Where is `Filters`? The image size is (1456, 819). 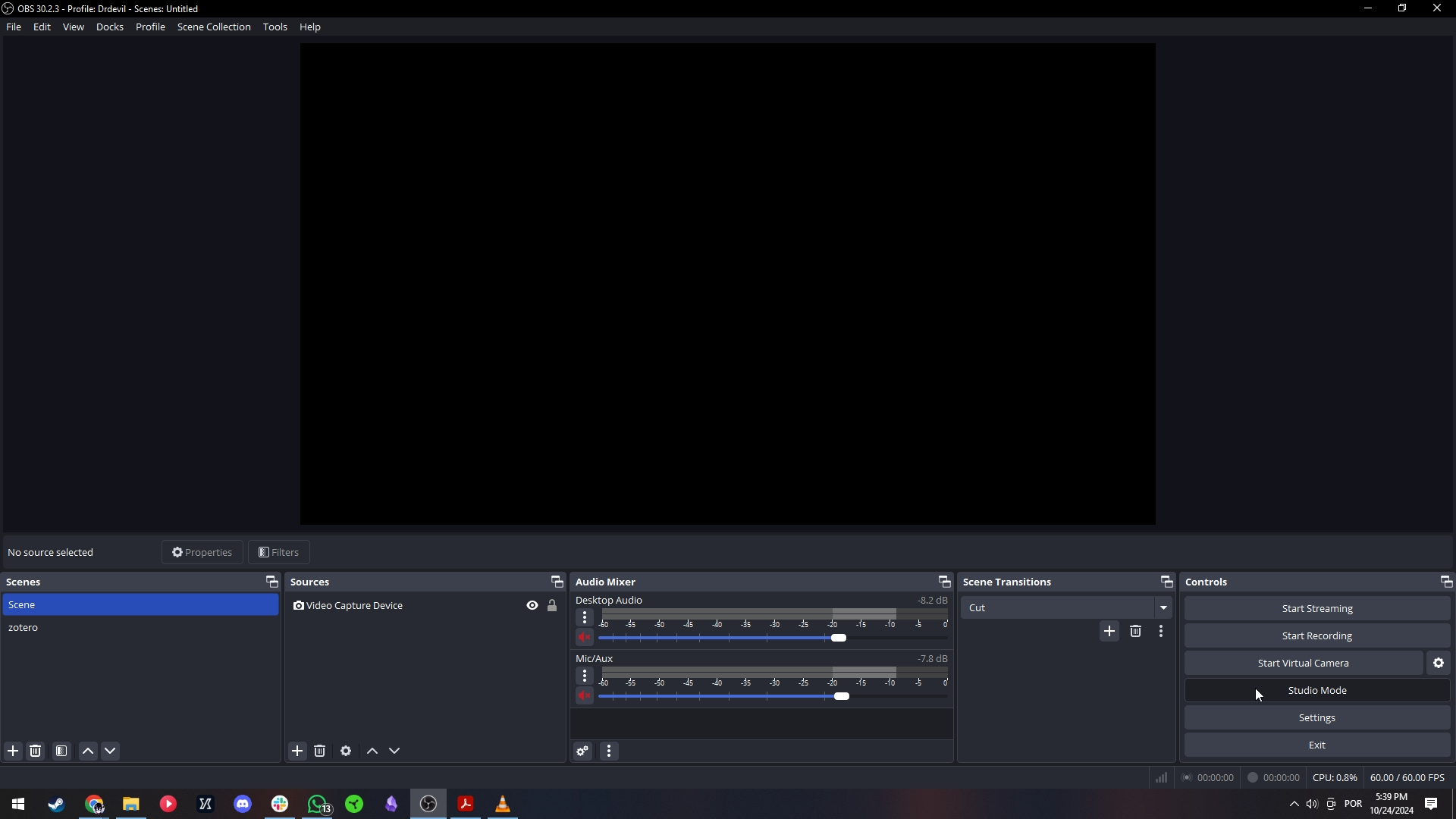 Filters is located at coordinates (281, 552).